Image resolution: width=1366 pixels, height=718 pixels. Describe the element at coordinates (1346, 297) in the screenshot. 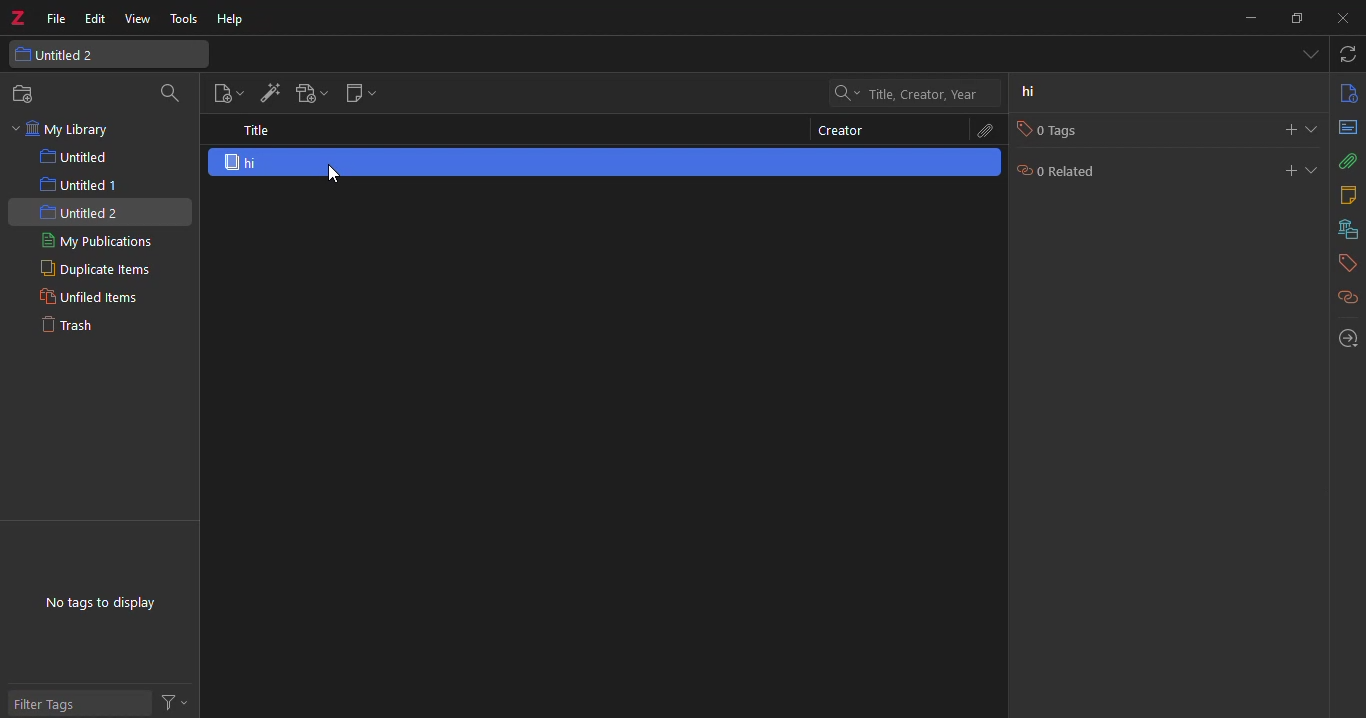

I see `related` at that location.